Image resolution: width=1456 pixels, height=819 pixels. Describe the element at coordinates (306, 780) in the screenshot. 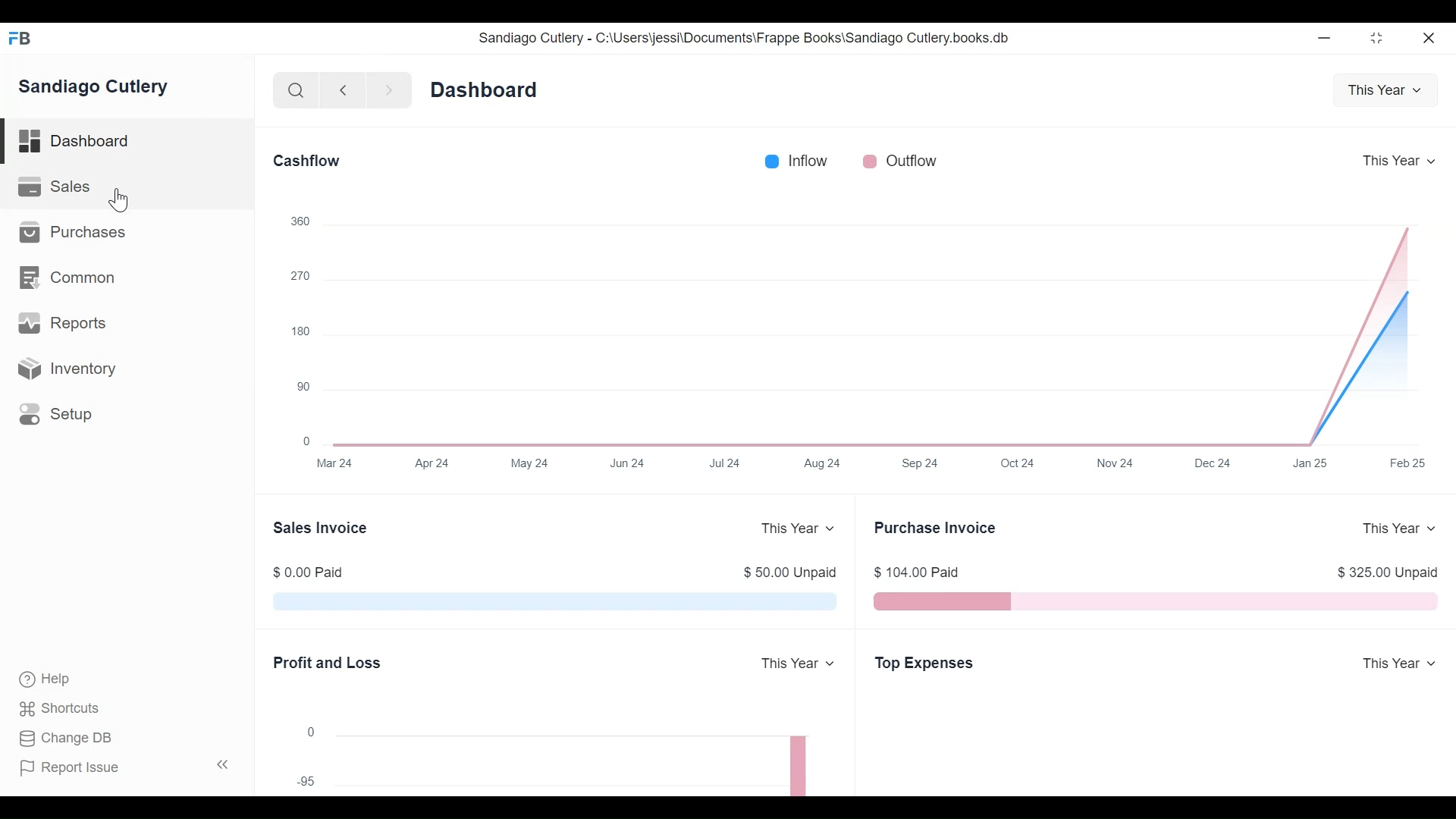

I see `95` at that location.